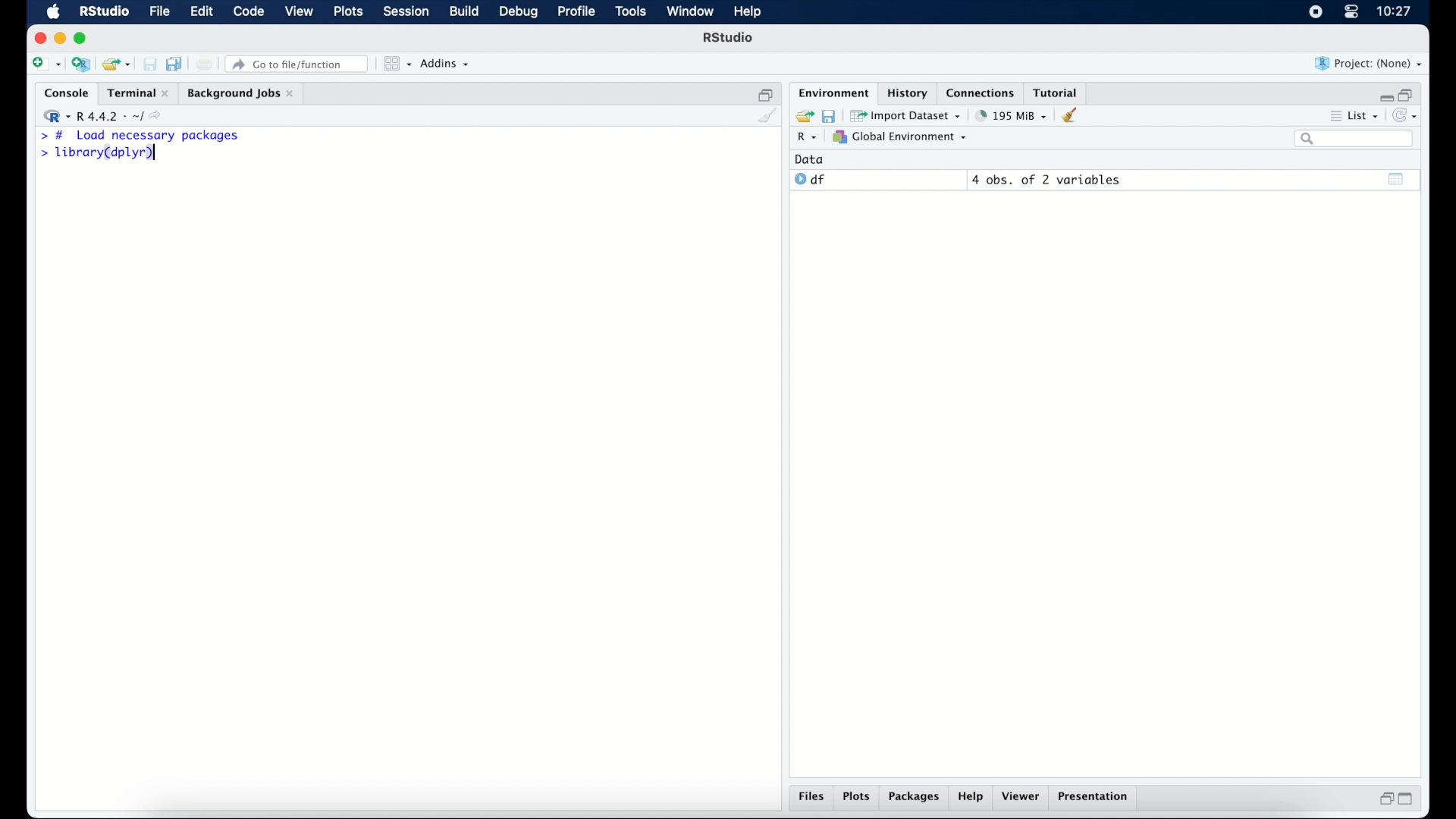  I want to click on console, so click(63, 93).